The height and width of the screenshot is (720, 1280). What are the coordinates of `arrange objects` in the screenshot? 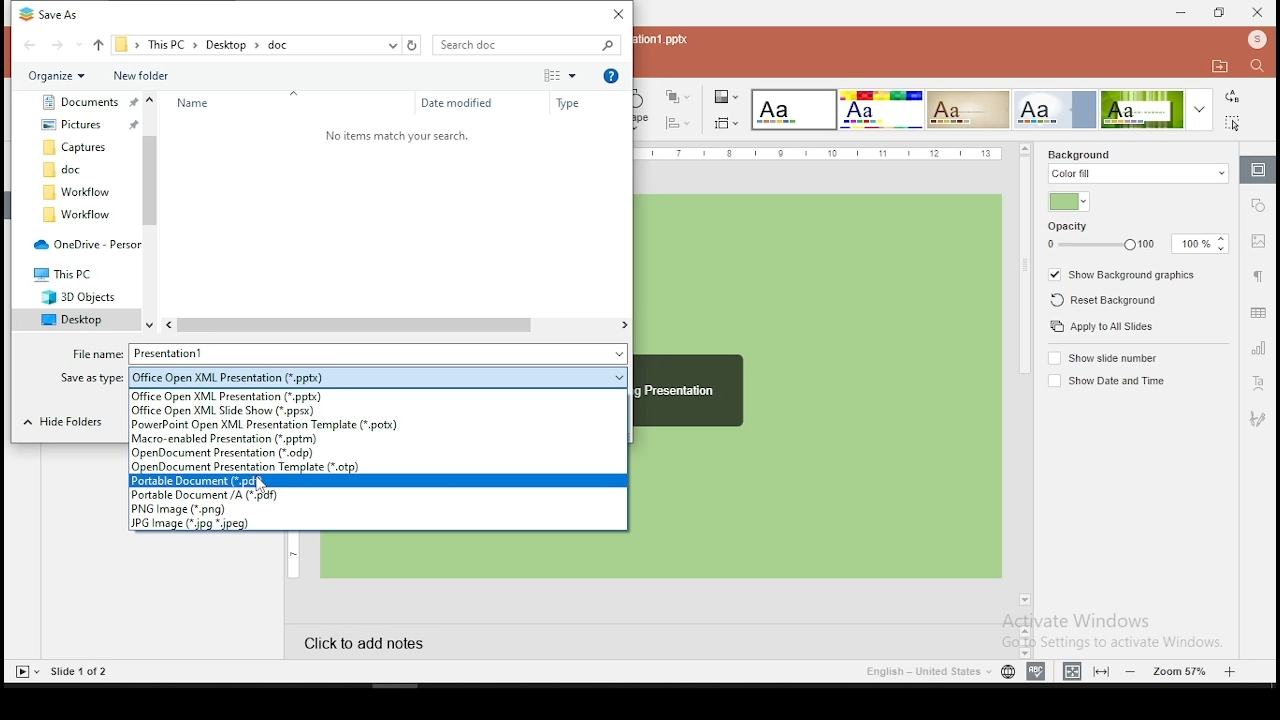 It's located at (678, 96).